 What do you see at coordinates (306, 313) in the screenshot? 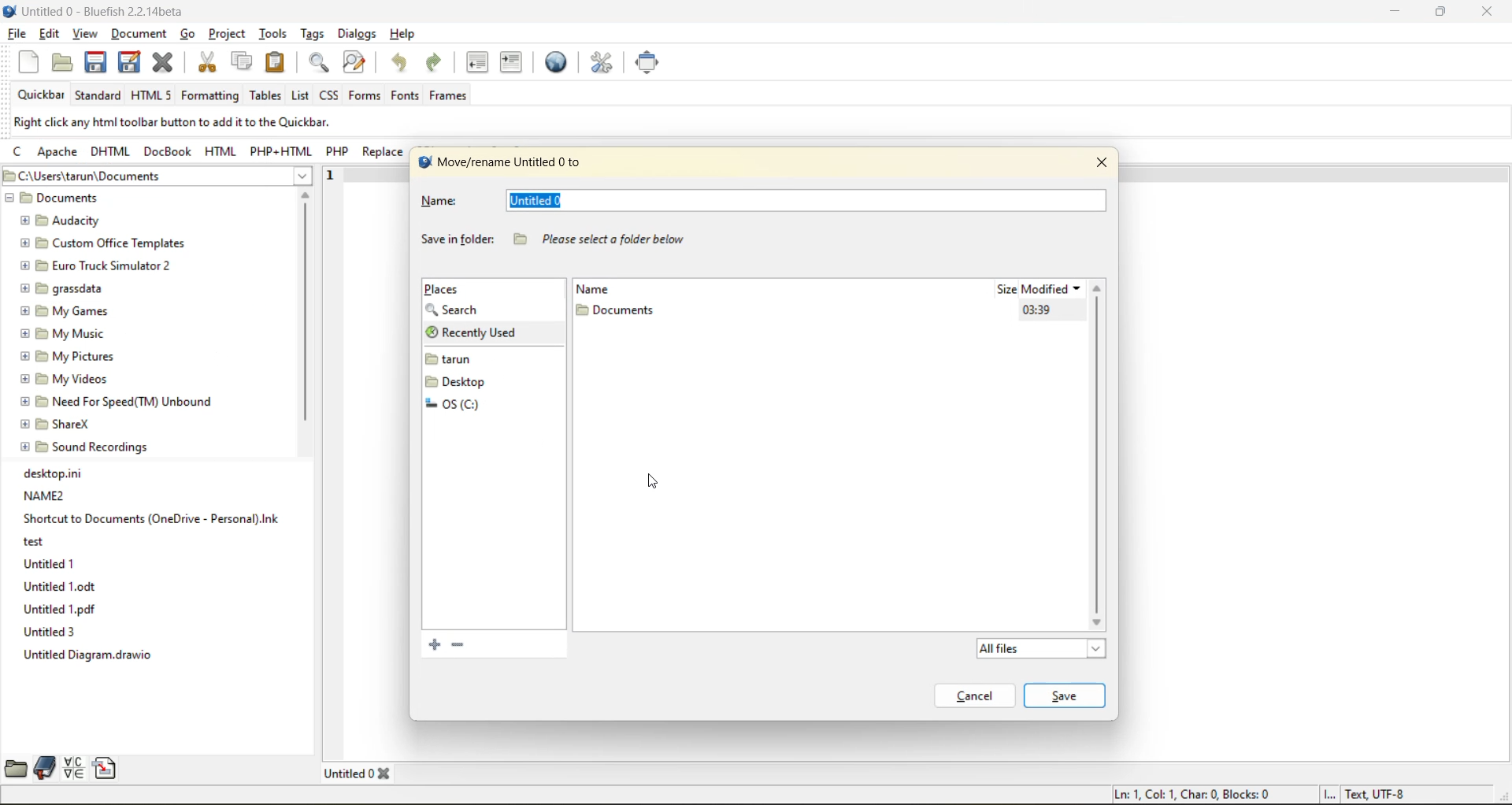
I see `vertical scroll bar` at bounding box center [306, 313].